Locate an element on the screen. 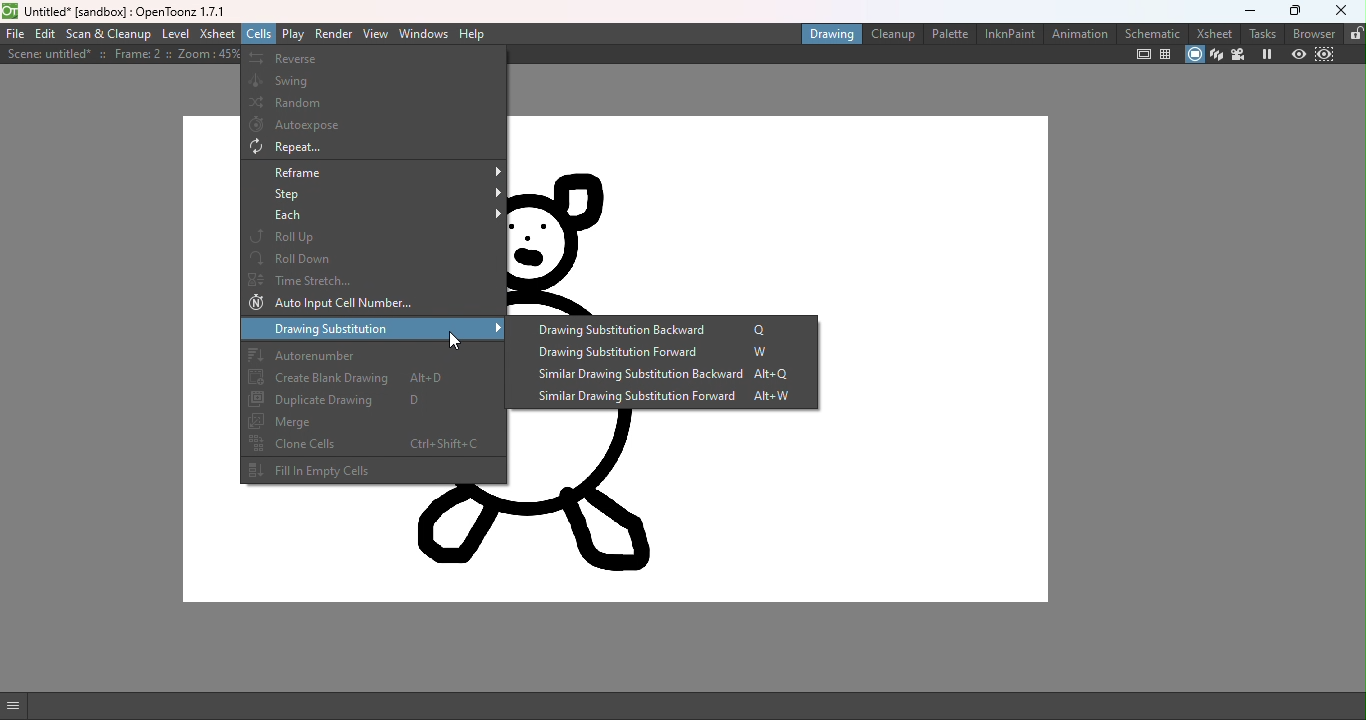 Image resolution: width=1366 pixels, height=720 pixels. drawing substitution backward is located at coordinates (663, 329).